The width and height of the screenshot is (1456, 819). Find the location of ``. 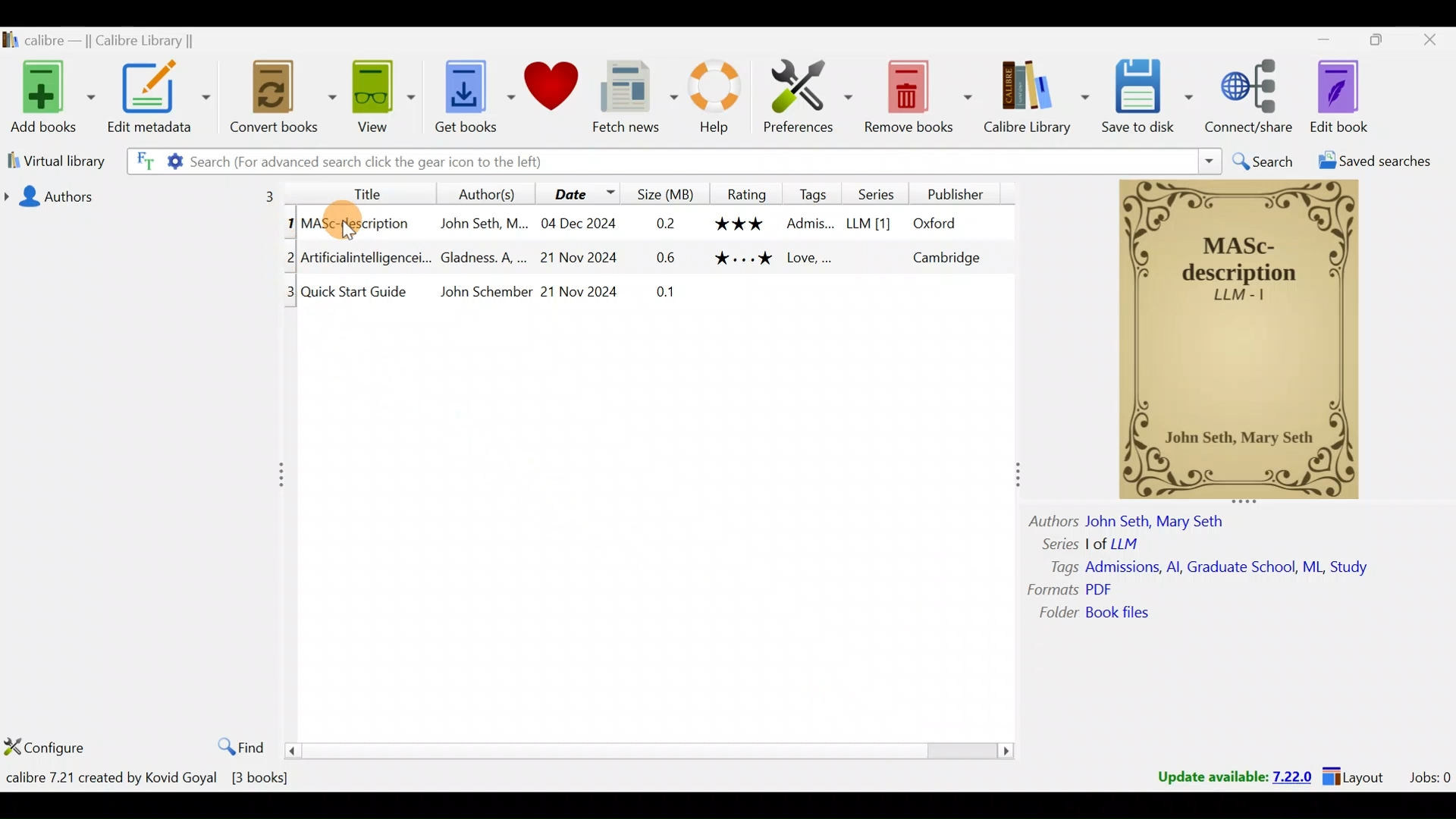

 is located at coordinates (807, 224).